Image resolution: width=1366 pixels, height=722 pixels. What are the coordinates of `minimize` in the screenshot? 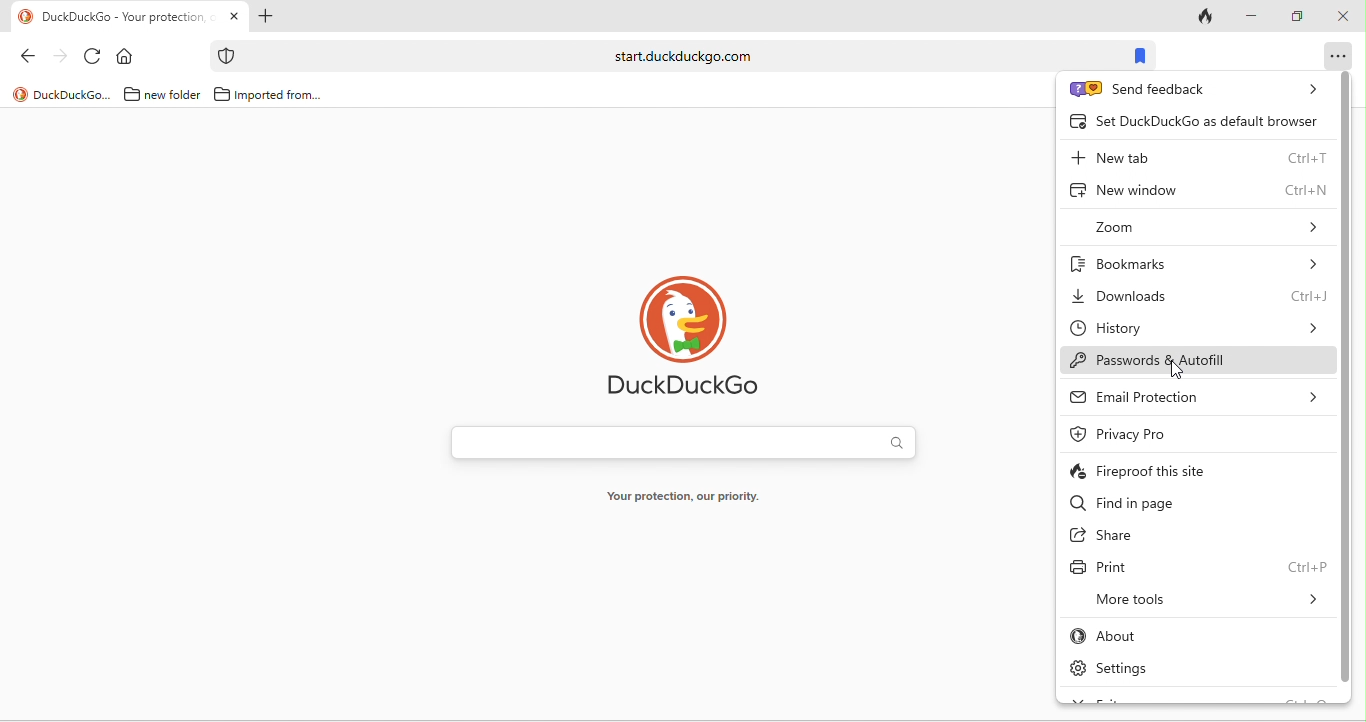 It's located at (1253, 16).